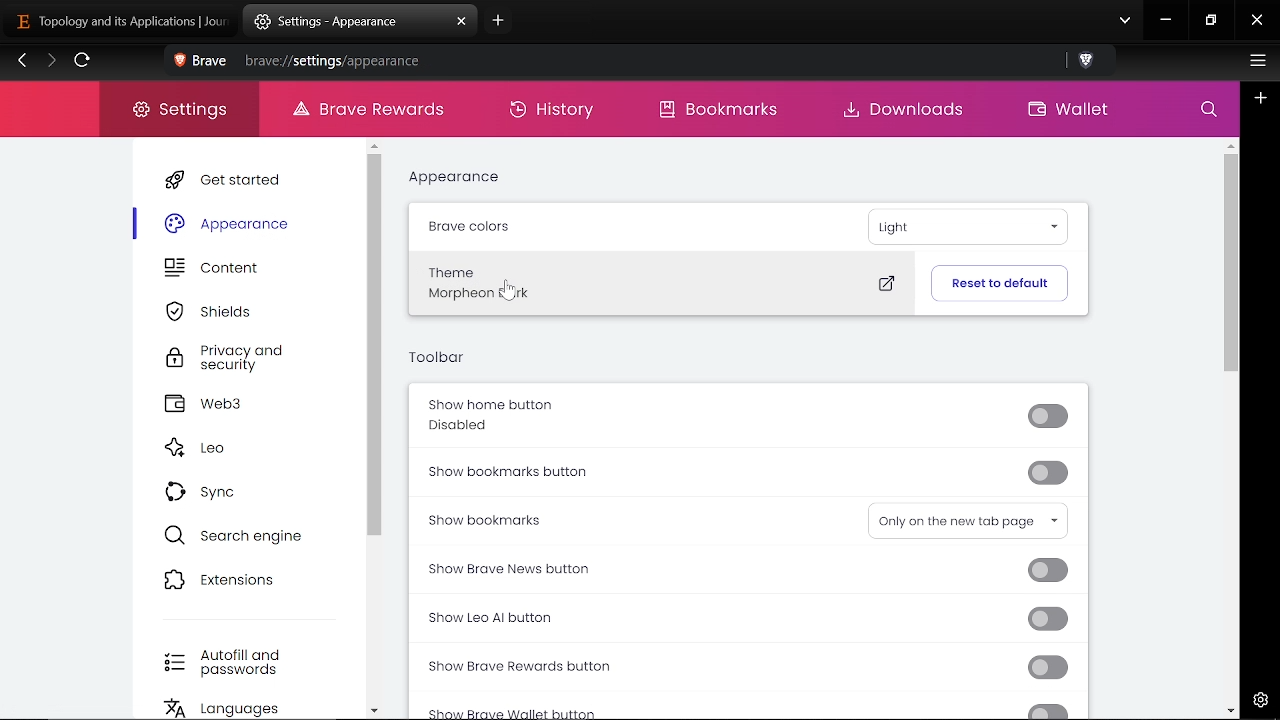  What do you see at coordinates (555, 111) in the screenshot?
I see `History` at bounding box center [555, 111].